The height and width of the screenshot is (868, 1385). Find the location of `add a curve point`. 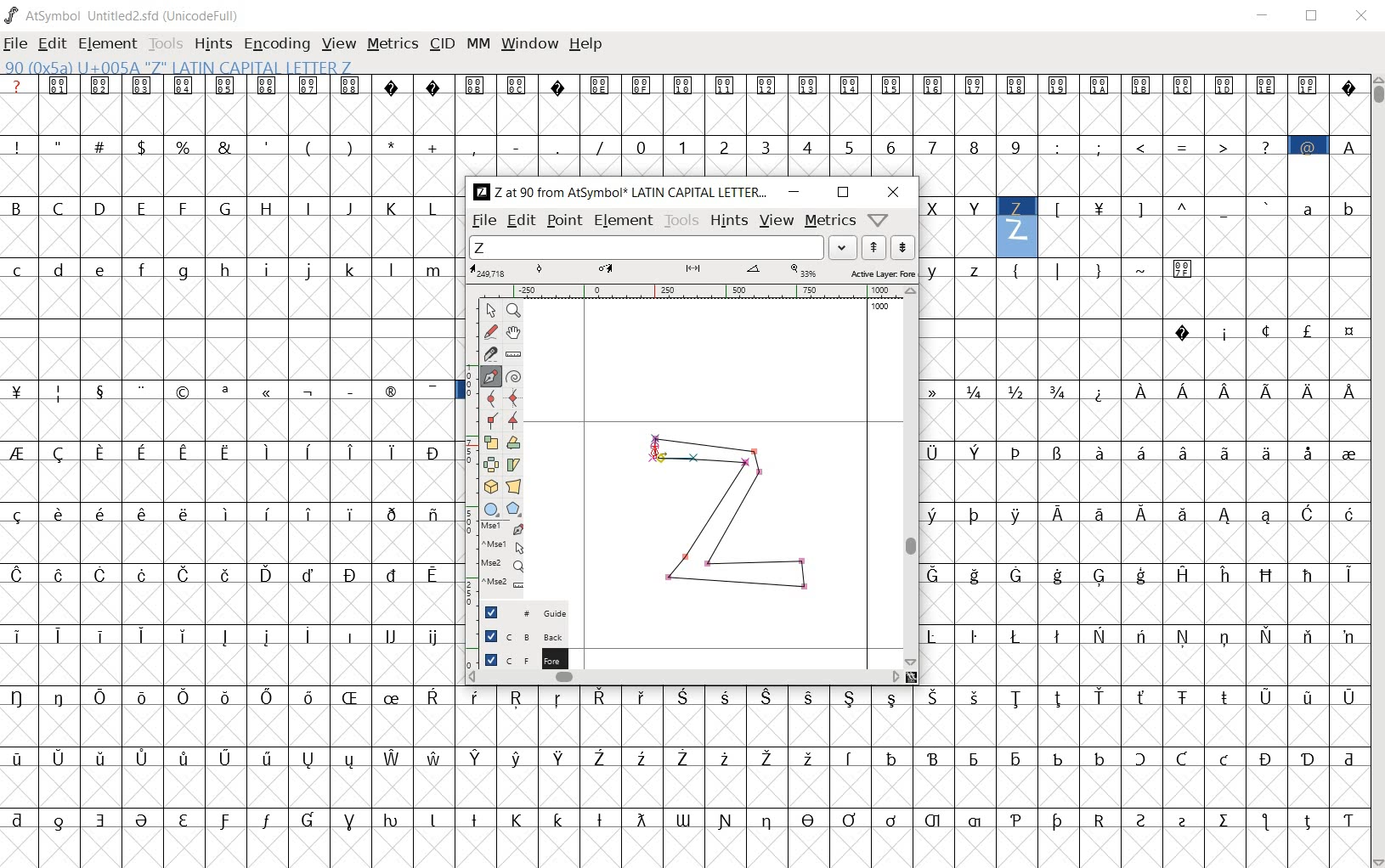

add a curve point is located at coordinates (489, 398).